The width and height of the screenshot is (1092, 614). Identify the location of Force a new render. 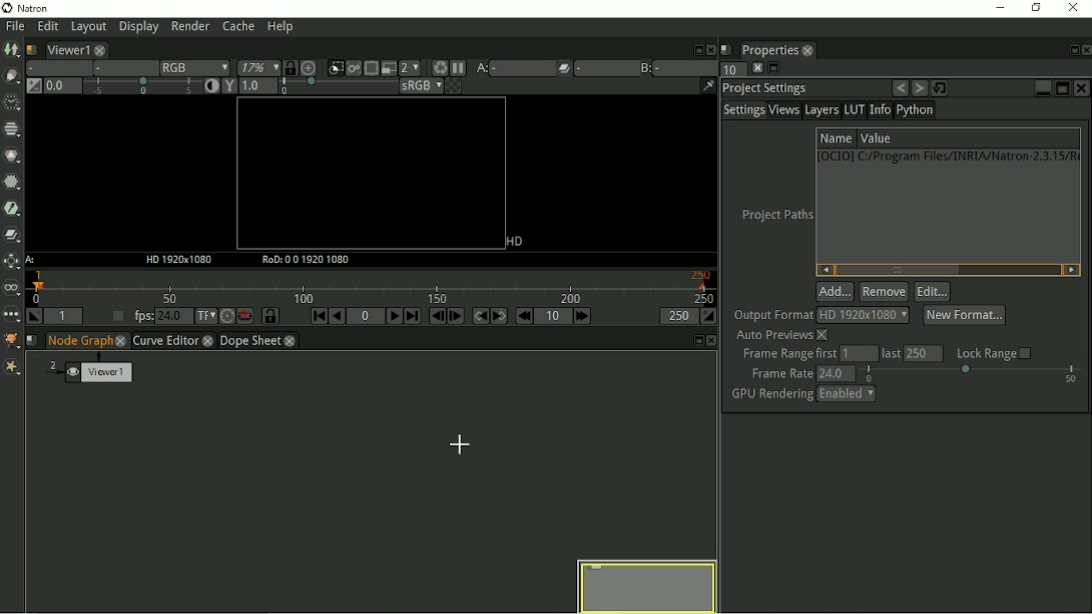
(439, 67).